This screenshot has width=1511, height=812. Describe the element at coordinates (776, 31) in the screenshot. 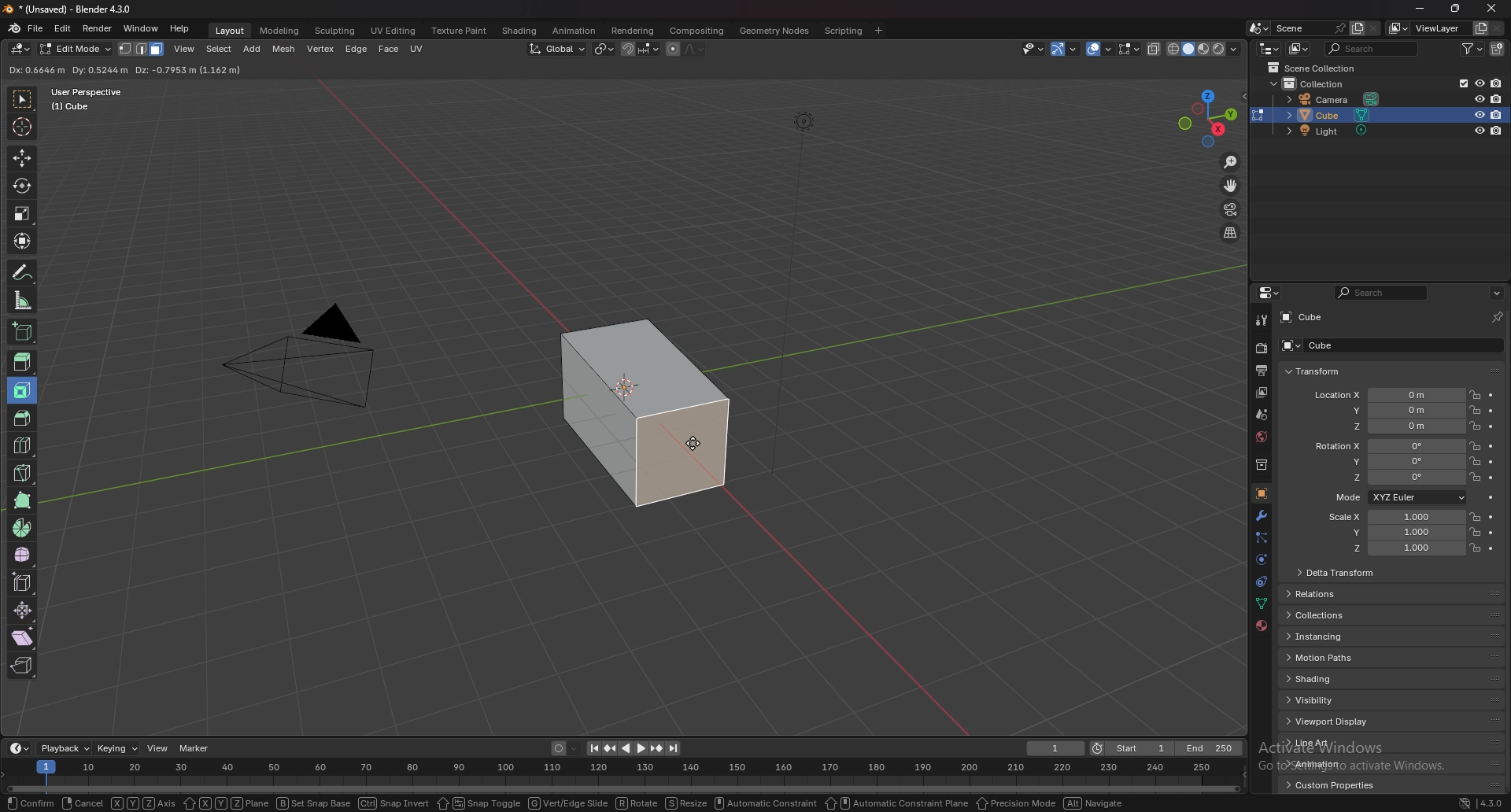

I see `geometry` at that location.